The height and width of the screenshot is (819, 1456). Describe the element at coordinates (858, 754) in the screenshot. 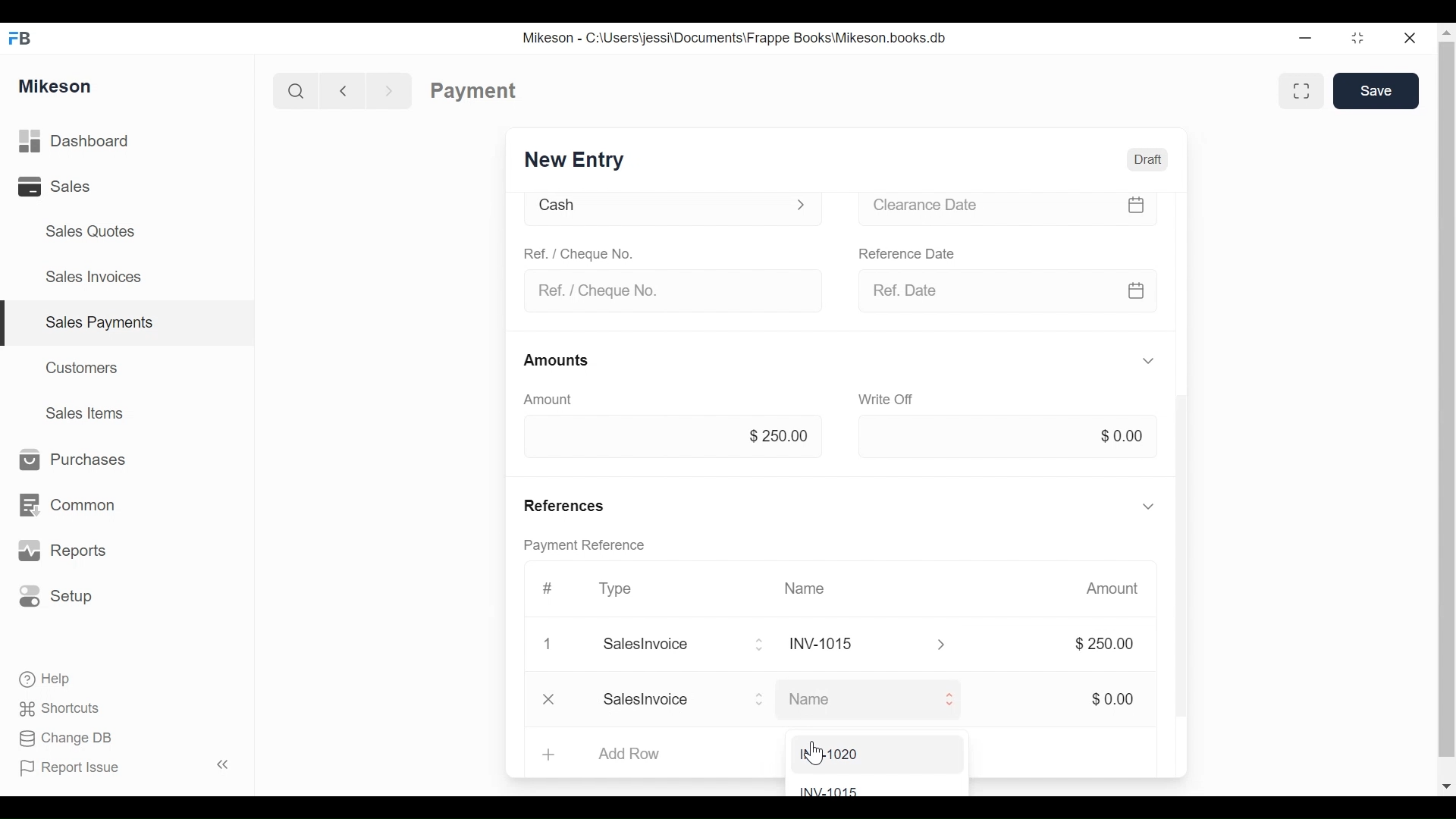

I see `INV-1020` at that location.